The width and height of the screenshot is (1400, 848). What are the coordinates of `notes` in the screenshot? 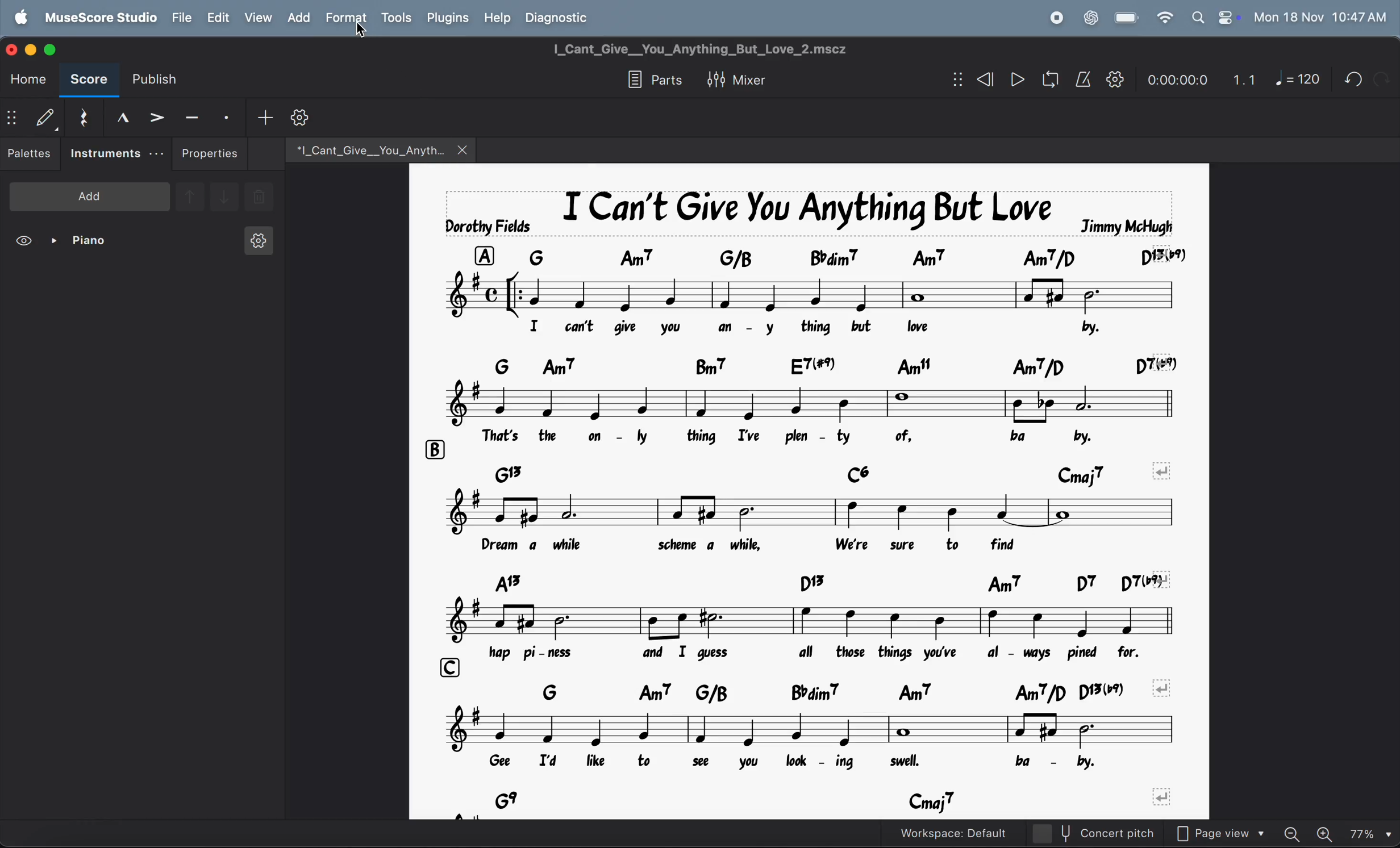 It's located at (818, 295).